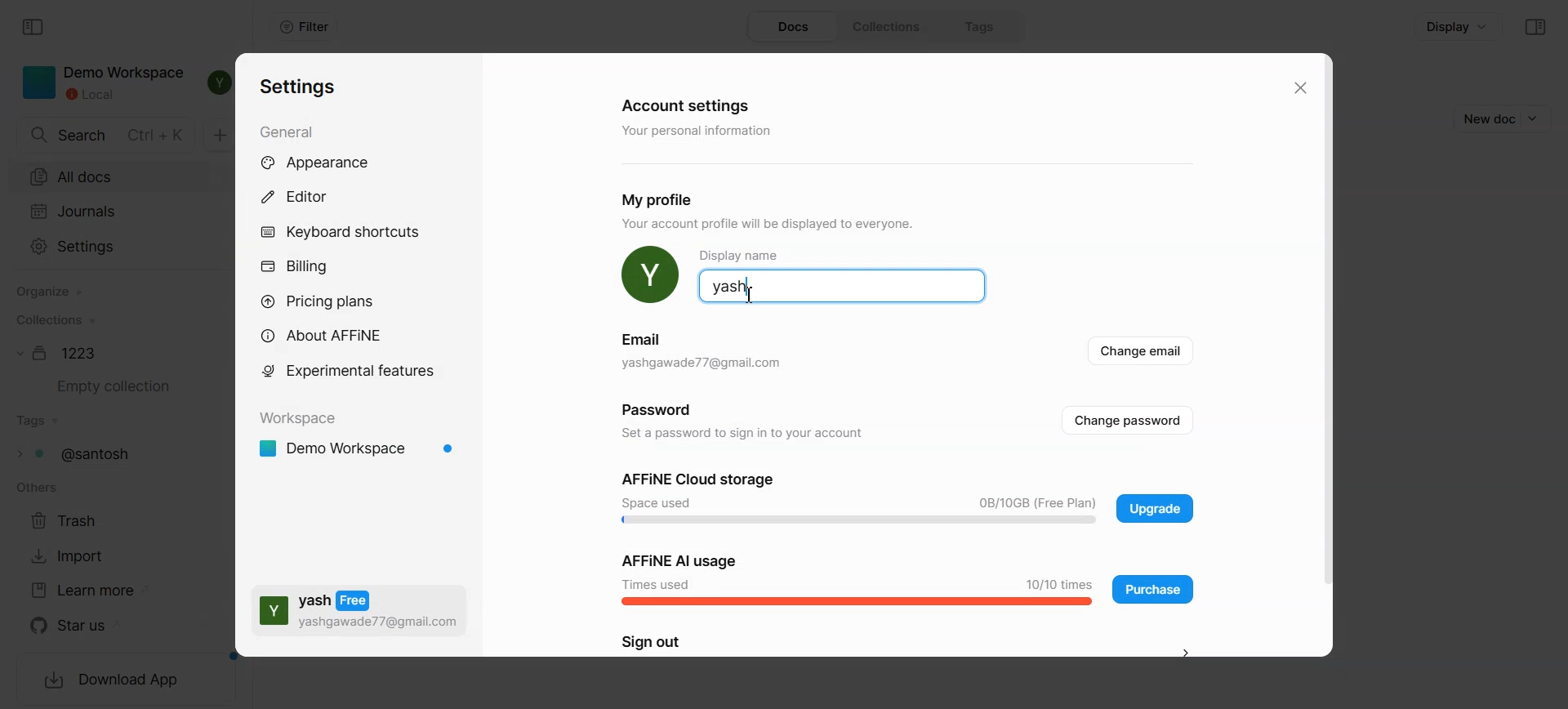 The height and width of the screenshot is (709, 1568). Describe the element at coordinates (795, 27) in the screenshot. I see `Docs` at that location.